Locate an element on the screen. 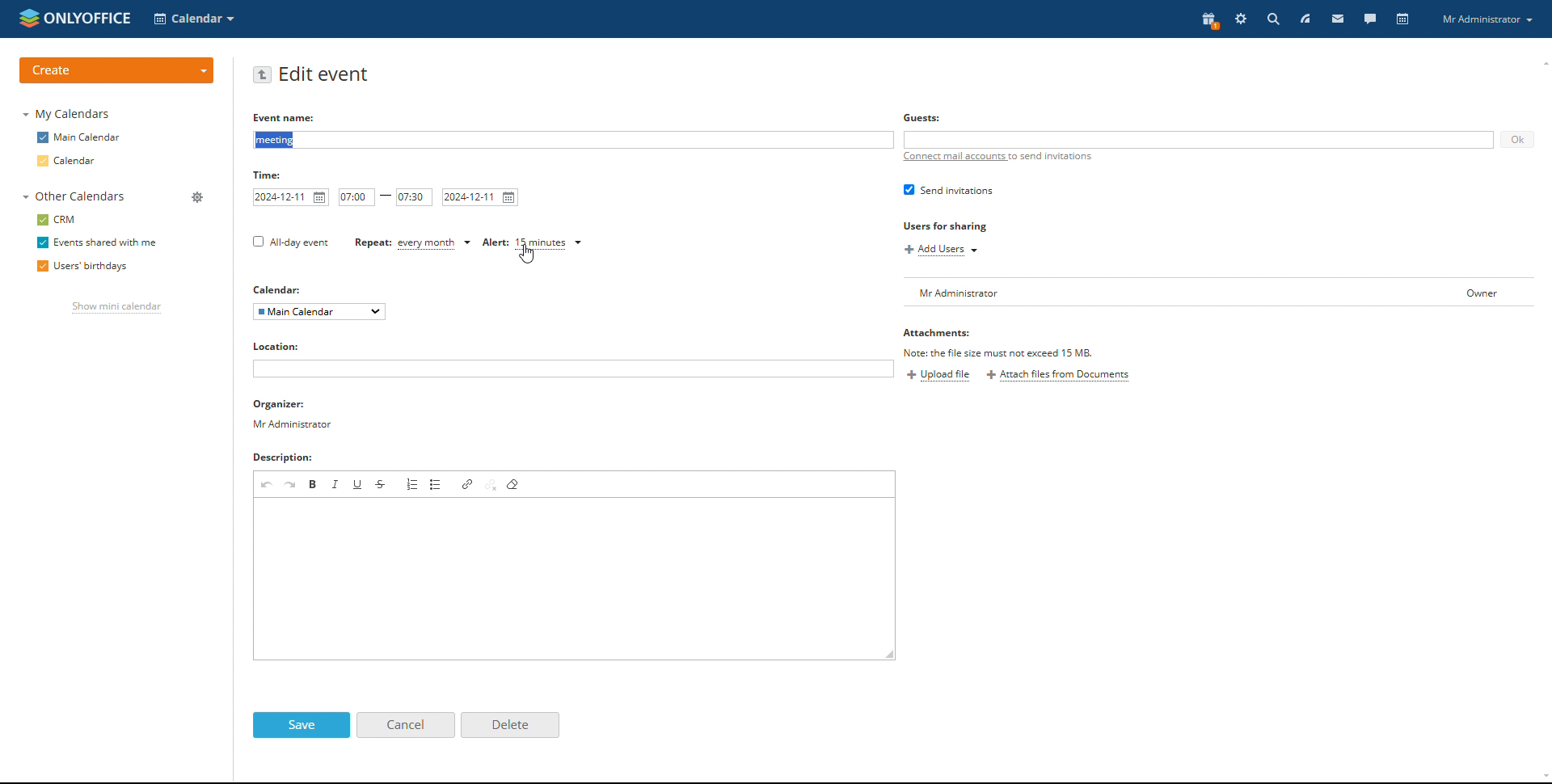 The width and height of the screenshot is (1552, 784). add location is located at coordinates (573, 369).